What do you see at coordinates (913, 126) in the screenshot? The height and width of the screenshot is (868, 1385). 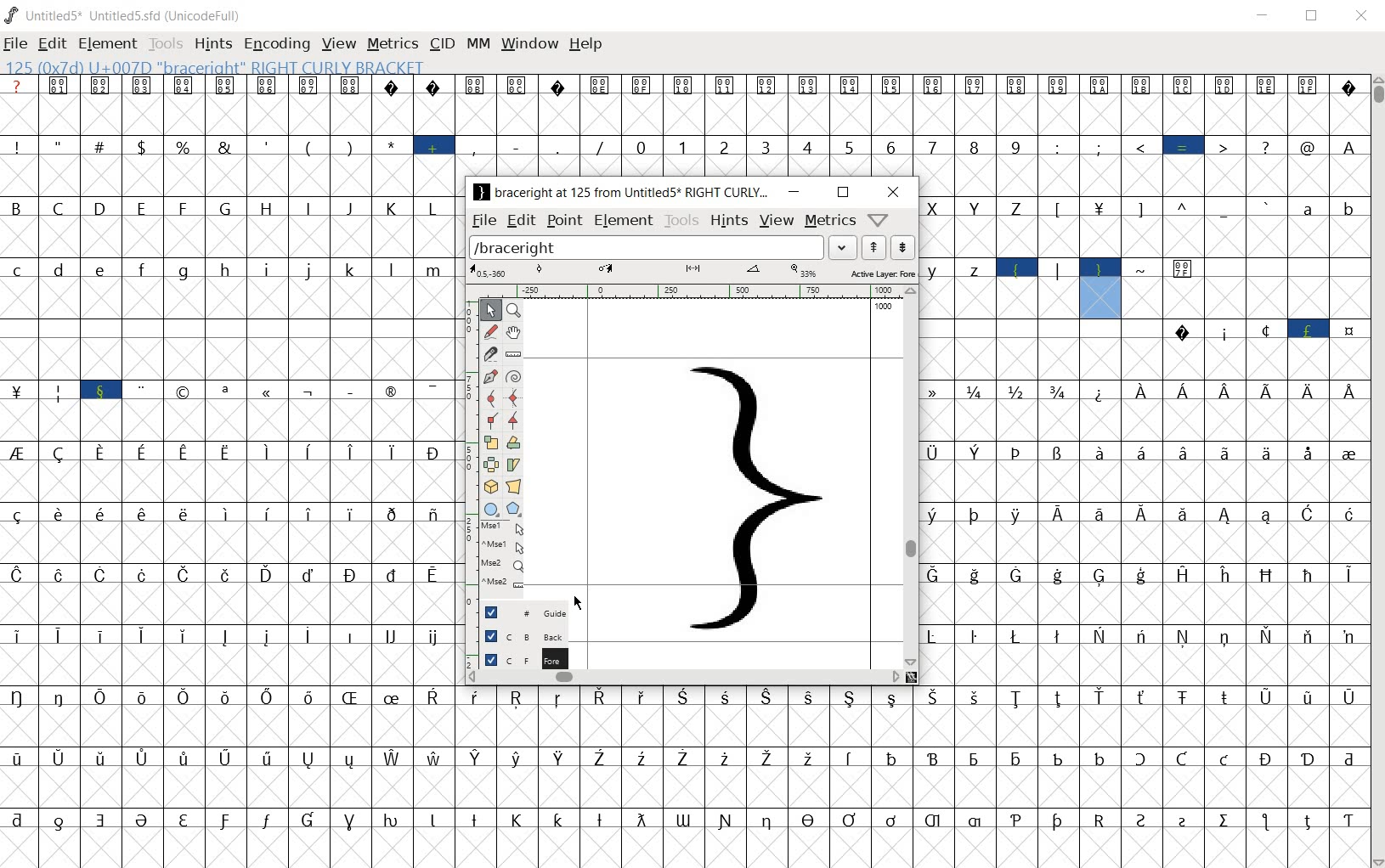 I see `glyph characters` at bounding box center [913, 126].